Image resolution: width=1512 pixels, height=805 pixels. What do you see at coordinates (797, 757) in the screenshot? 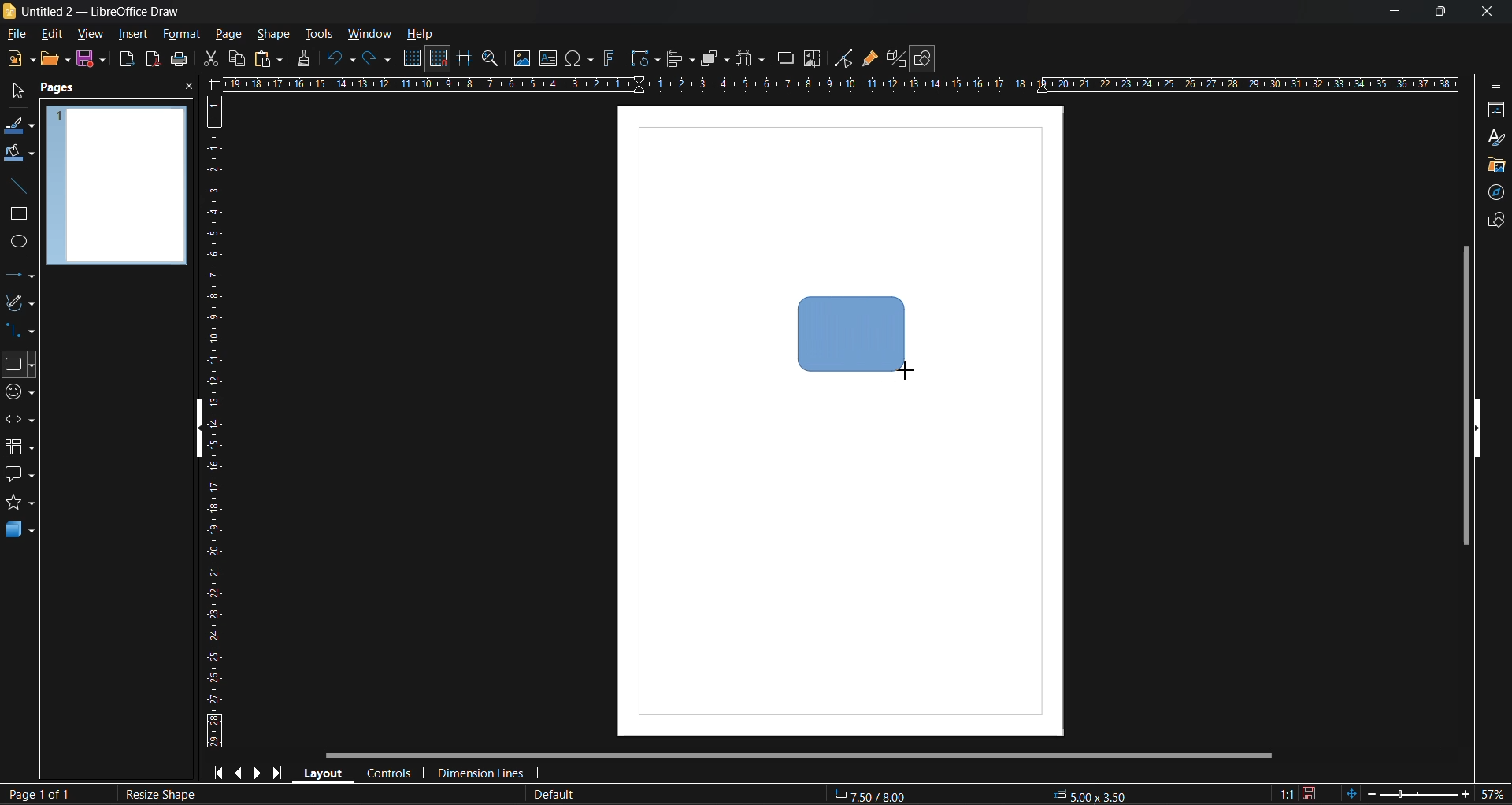
I see `horizontal scroll bar` at bounding box center [797, 757].